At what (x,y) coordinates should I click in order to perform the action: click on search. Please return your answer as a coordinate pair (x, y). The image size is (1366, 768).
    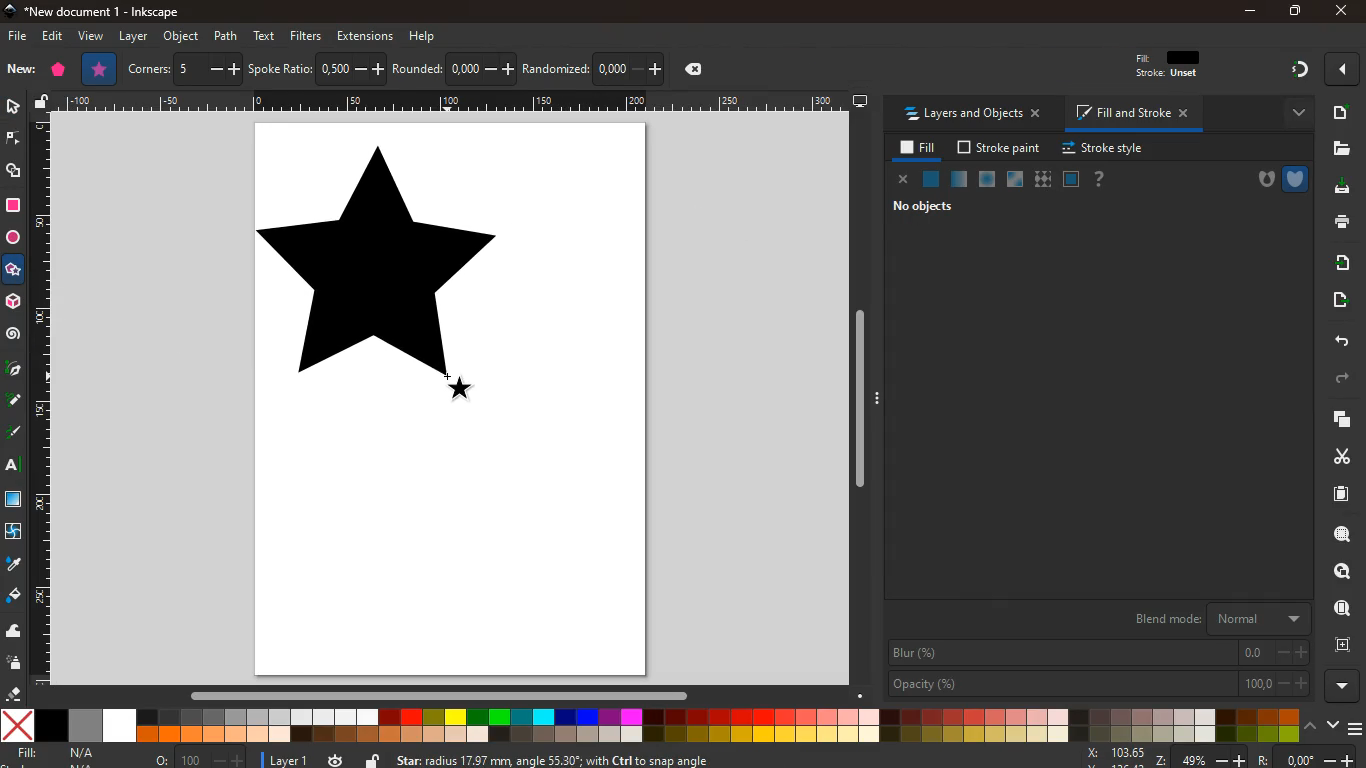
    Looking at the image, I should click on (1338, 572).